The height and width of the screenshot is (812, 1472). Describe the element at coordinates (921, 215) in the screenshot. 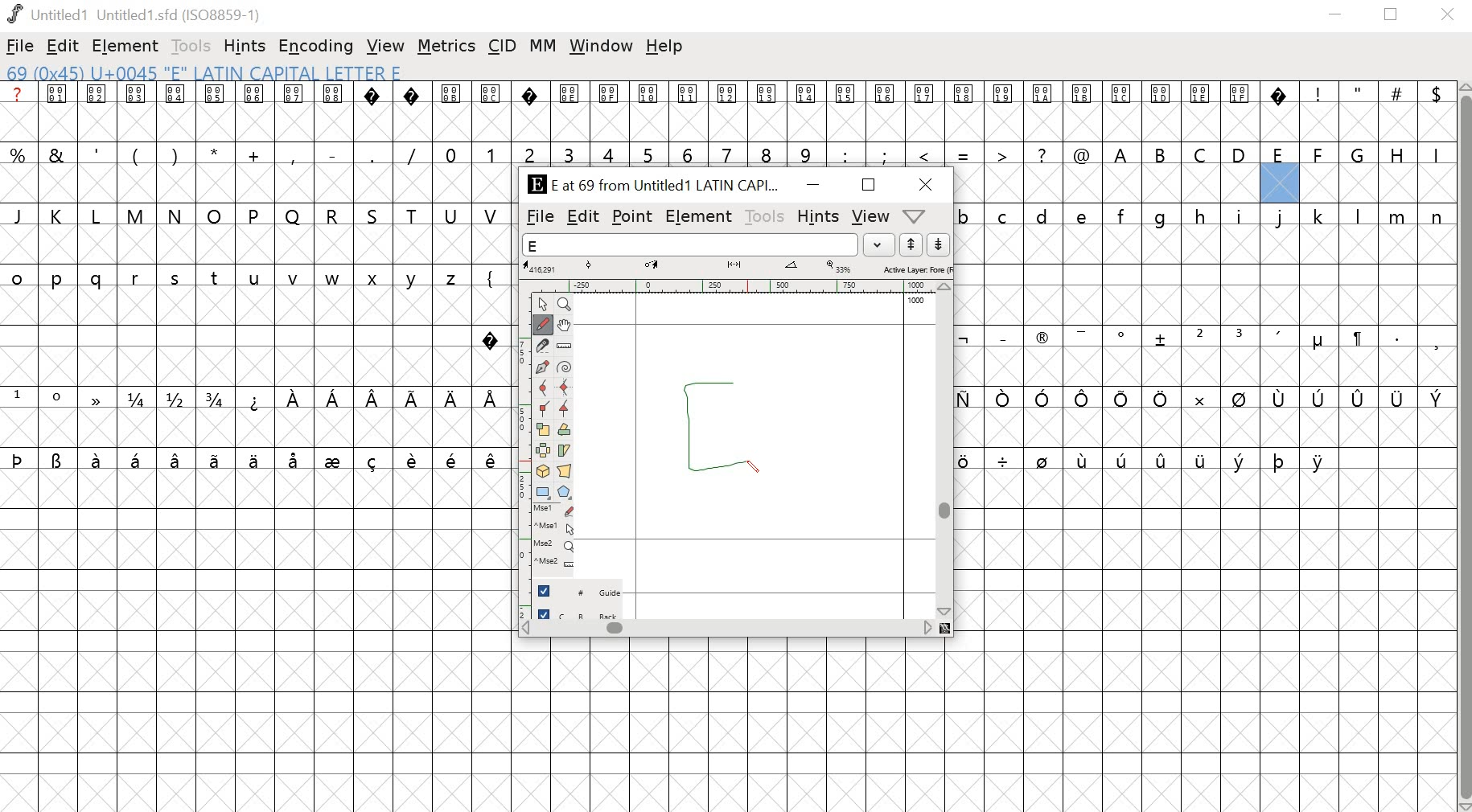

I see `dropdown menu` at that location.